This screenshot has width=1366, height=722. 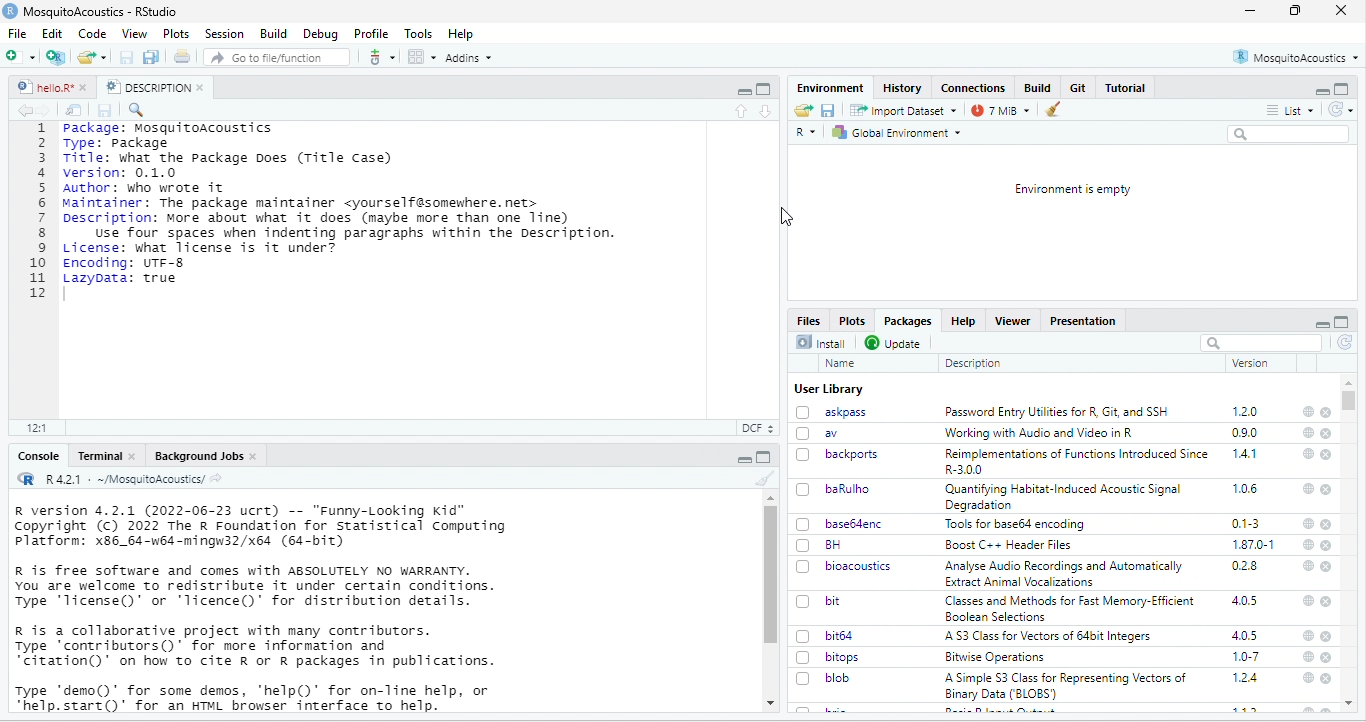 What do you see at coordinates (21, 33) in the screenshot?
I see `File` at bounding box center [21, 33].